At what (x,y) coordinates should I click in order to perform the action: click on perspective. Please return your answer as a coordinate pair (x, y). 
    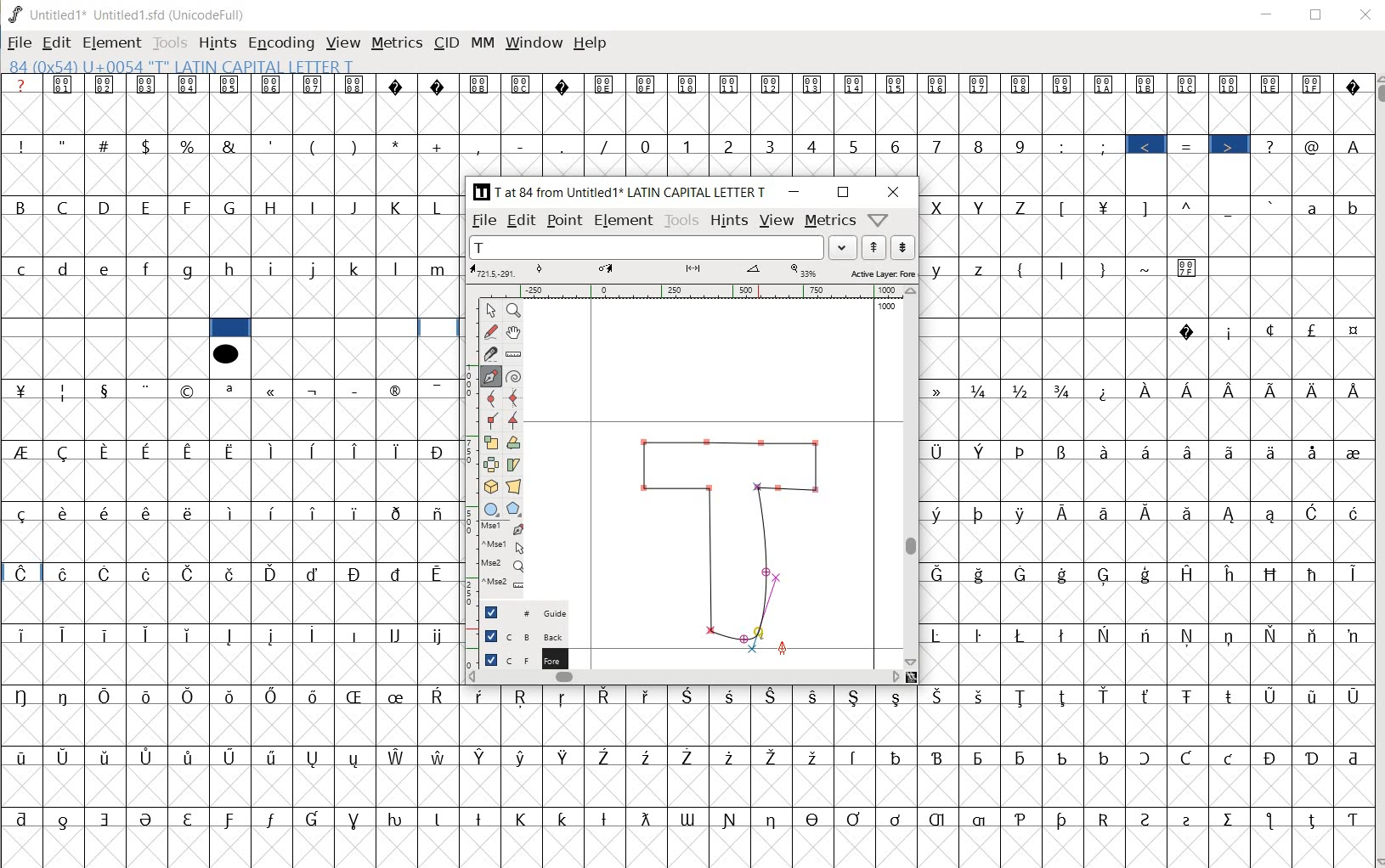
    Looking at the image, I should click on (514, 488).